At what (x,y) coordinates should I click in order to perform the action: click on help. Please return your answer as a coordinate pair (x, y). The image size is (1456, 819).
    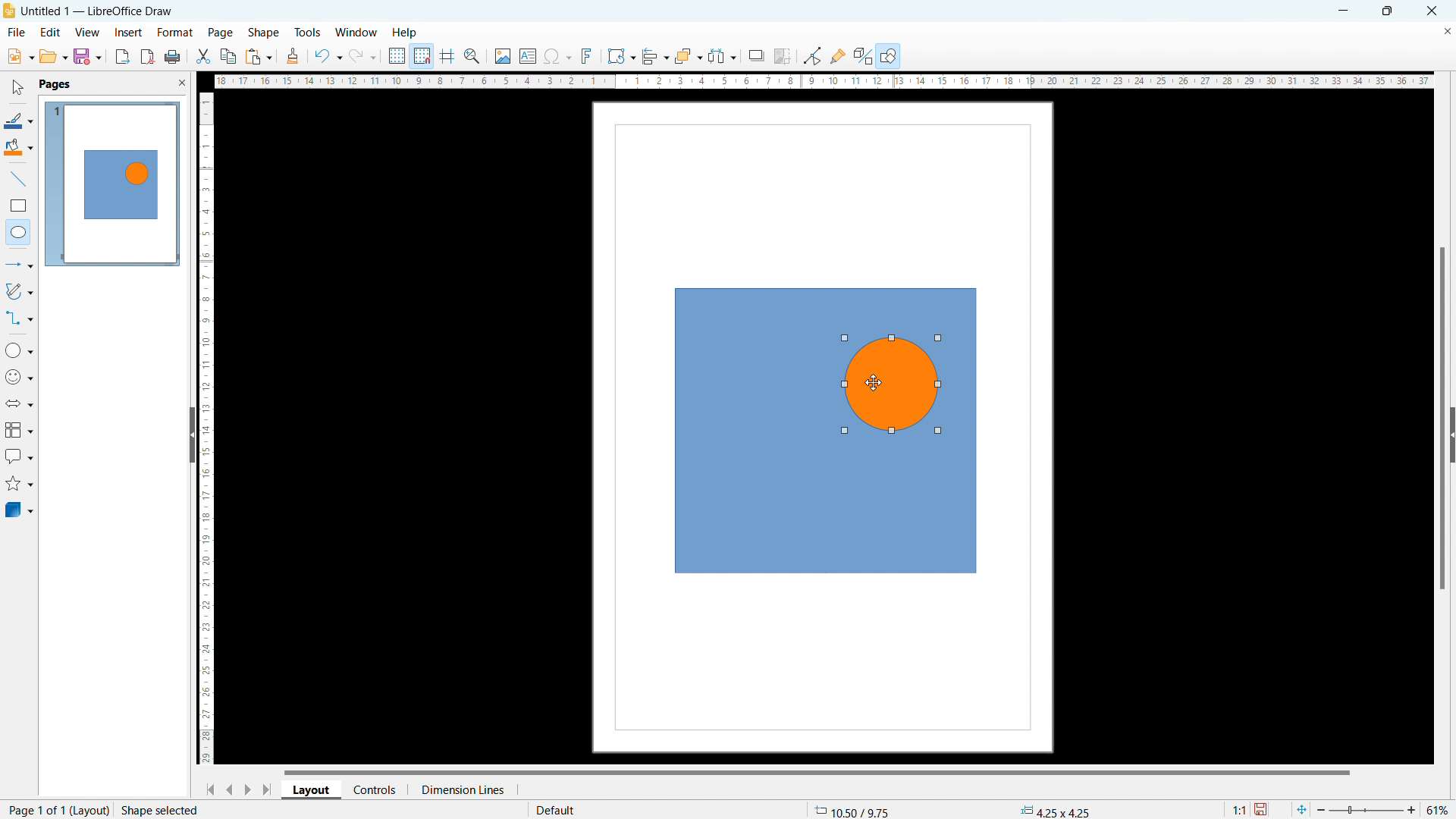
    Looking at the image, I should click on (406, 33).